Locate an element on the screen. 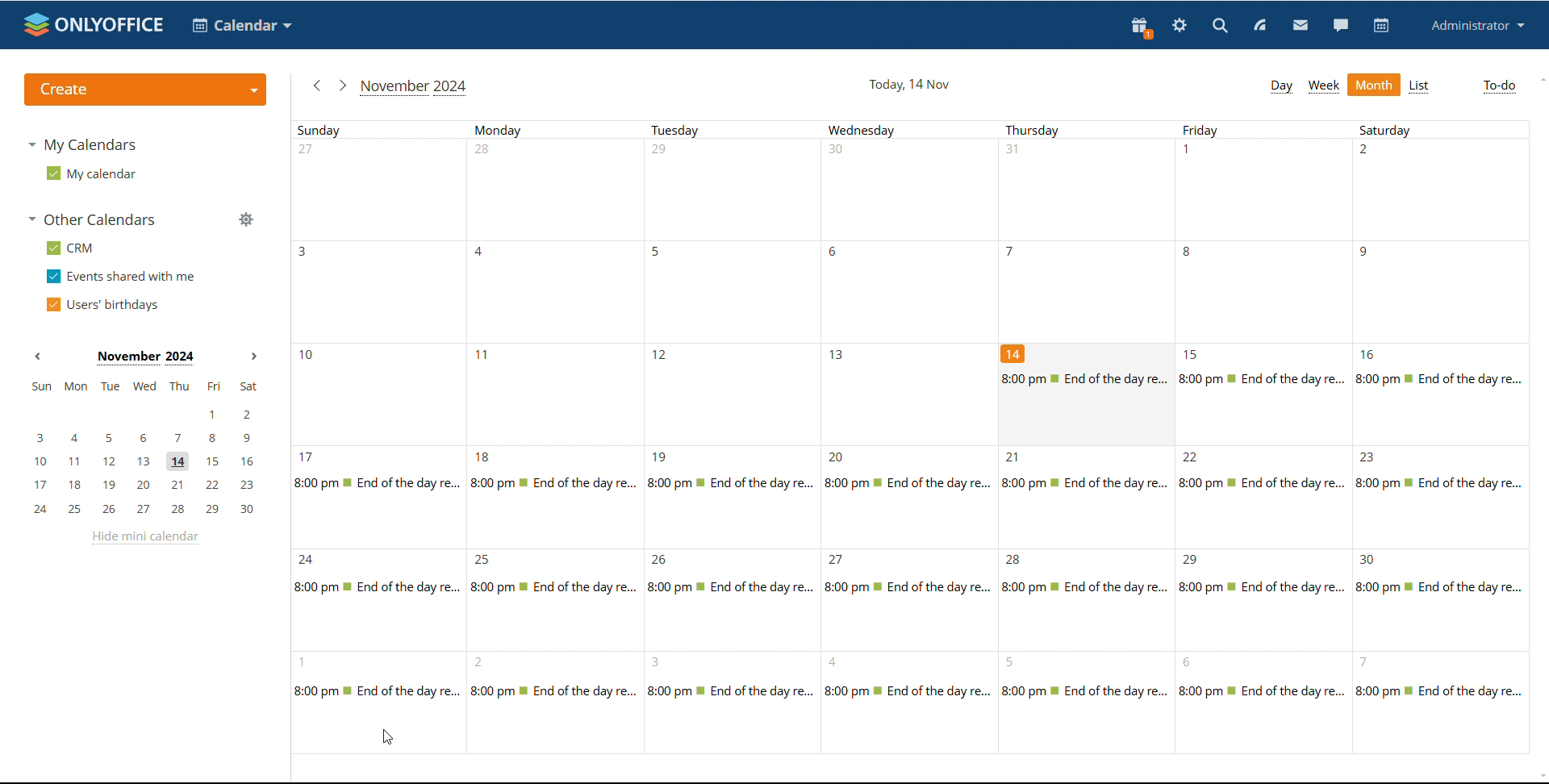  other calendars is located at coordinates (94, 219).